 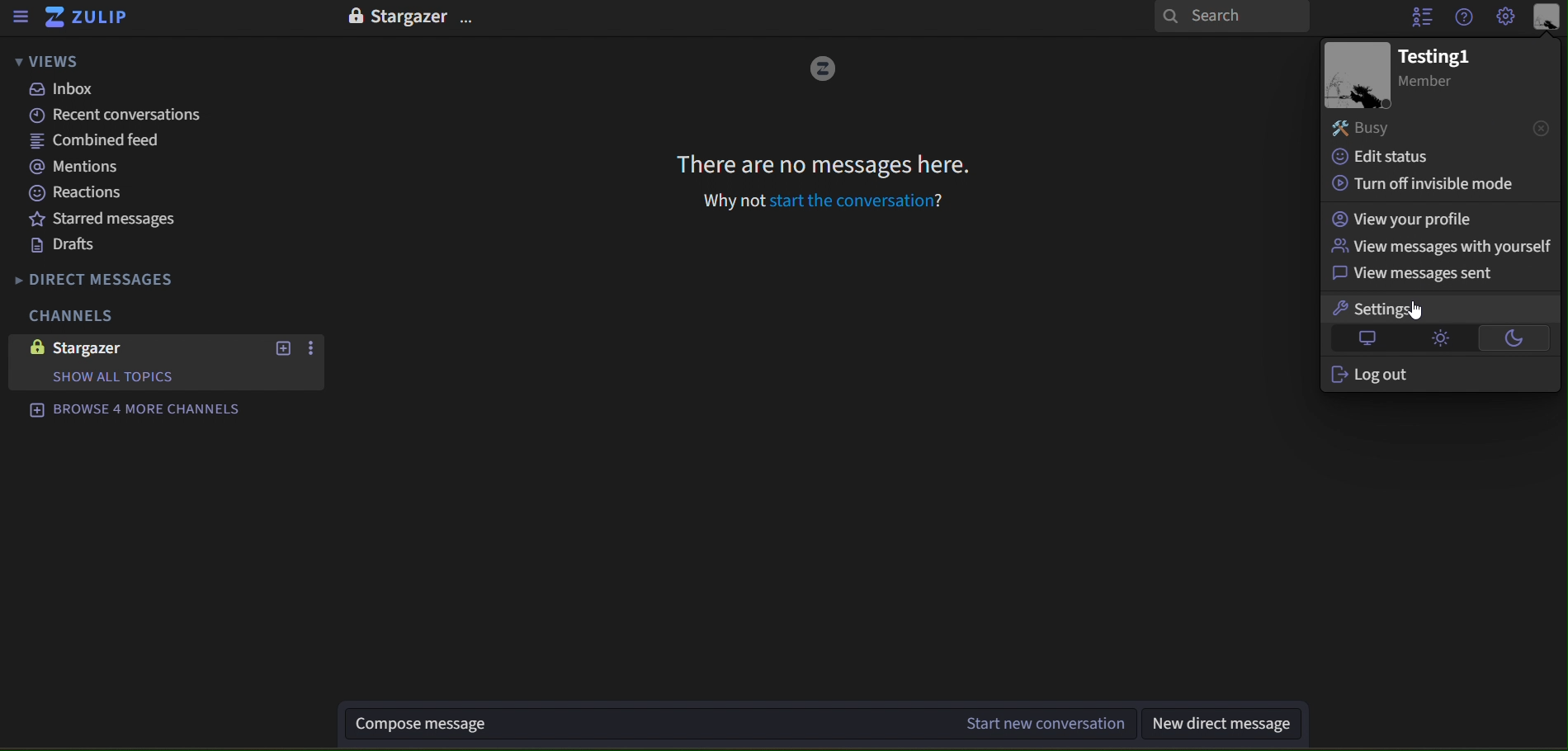 I want to click on start the conversation?, so click(x=857, y=201).